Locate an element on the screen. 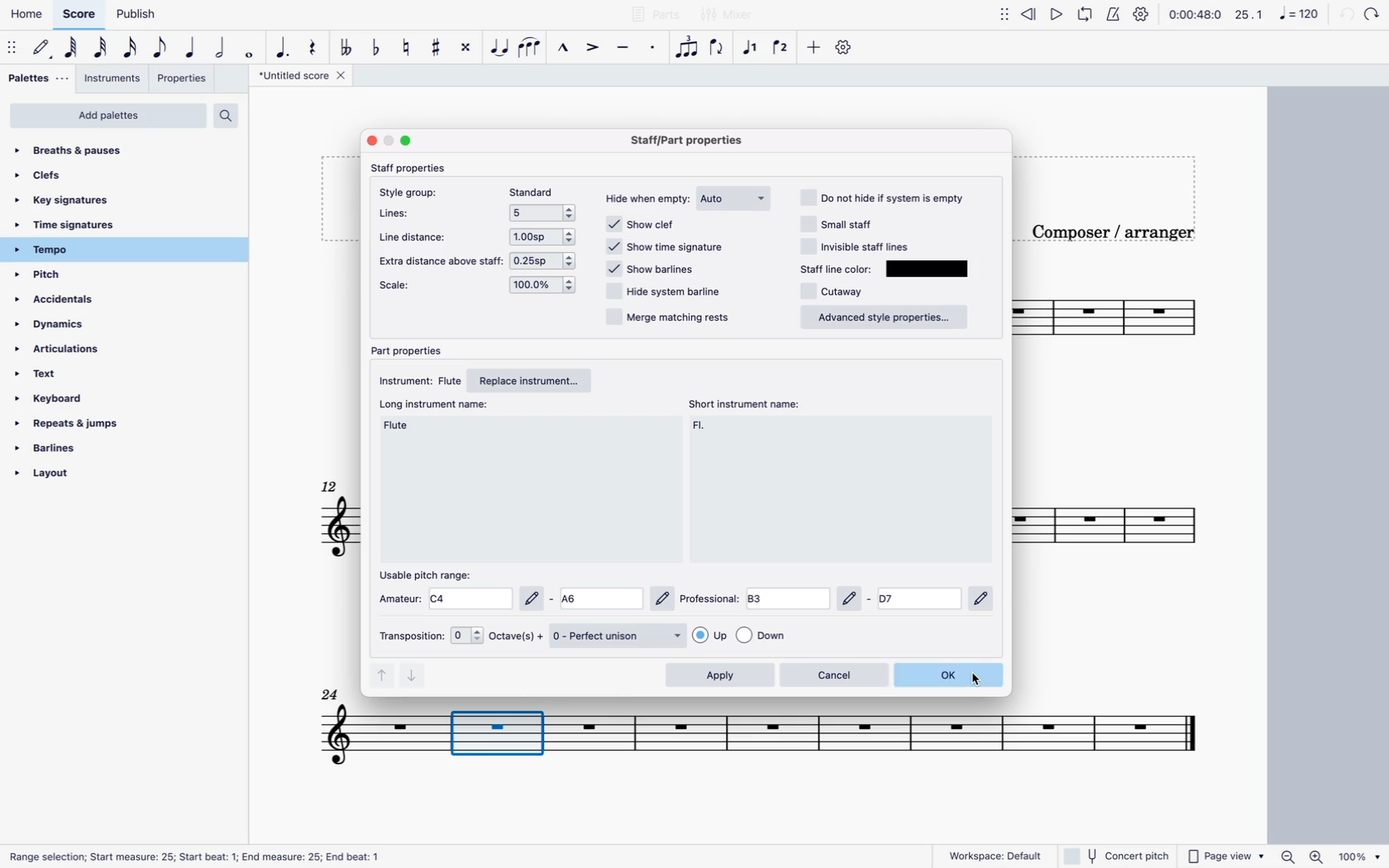 This screenshot has width=1389, height=868. small staff is located at coordinates (852, 222).